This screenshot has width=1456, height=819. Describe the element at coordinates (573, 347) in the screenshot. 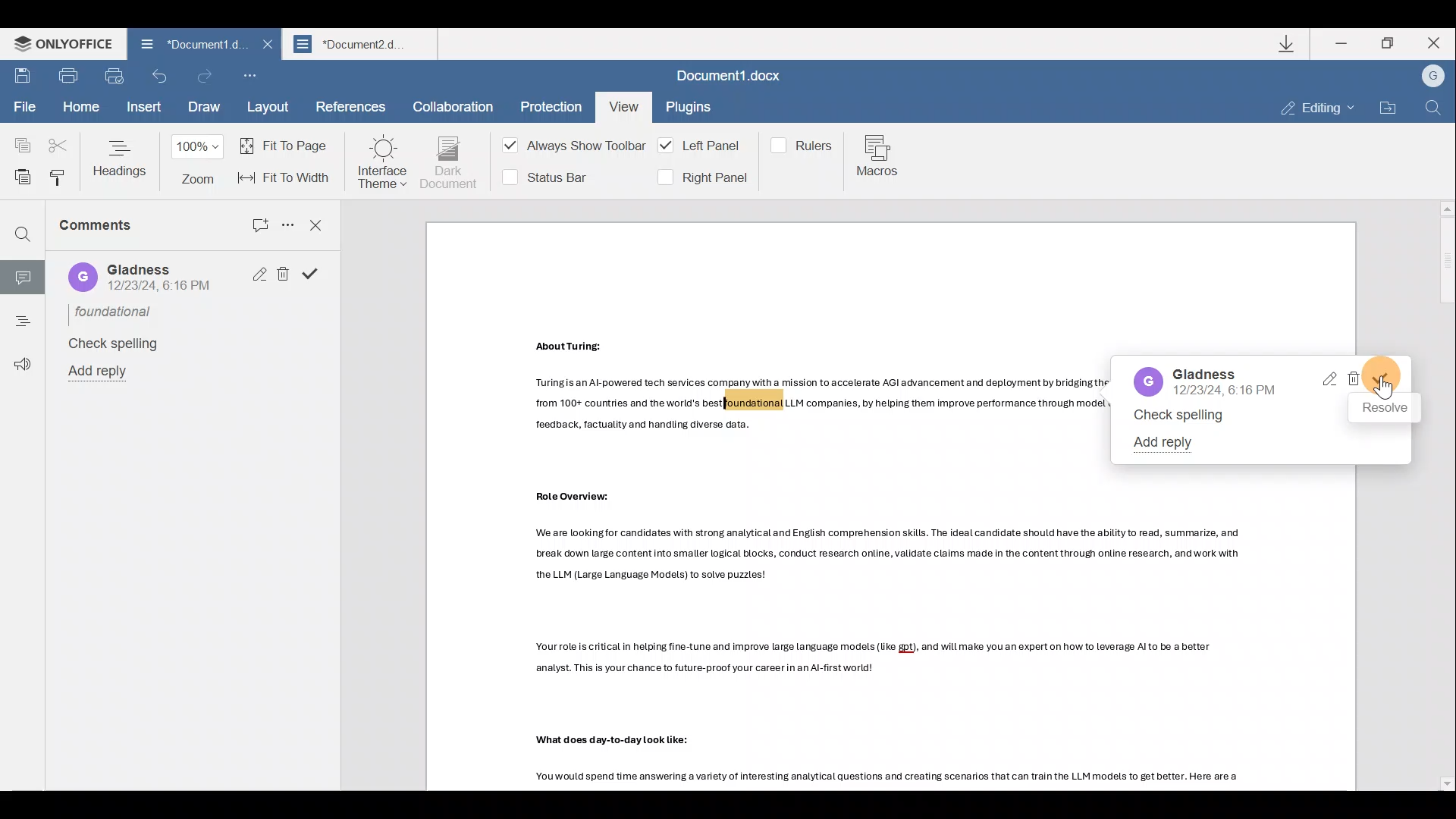

I see `` at that location.